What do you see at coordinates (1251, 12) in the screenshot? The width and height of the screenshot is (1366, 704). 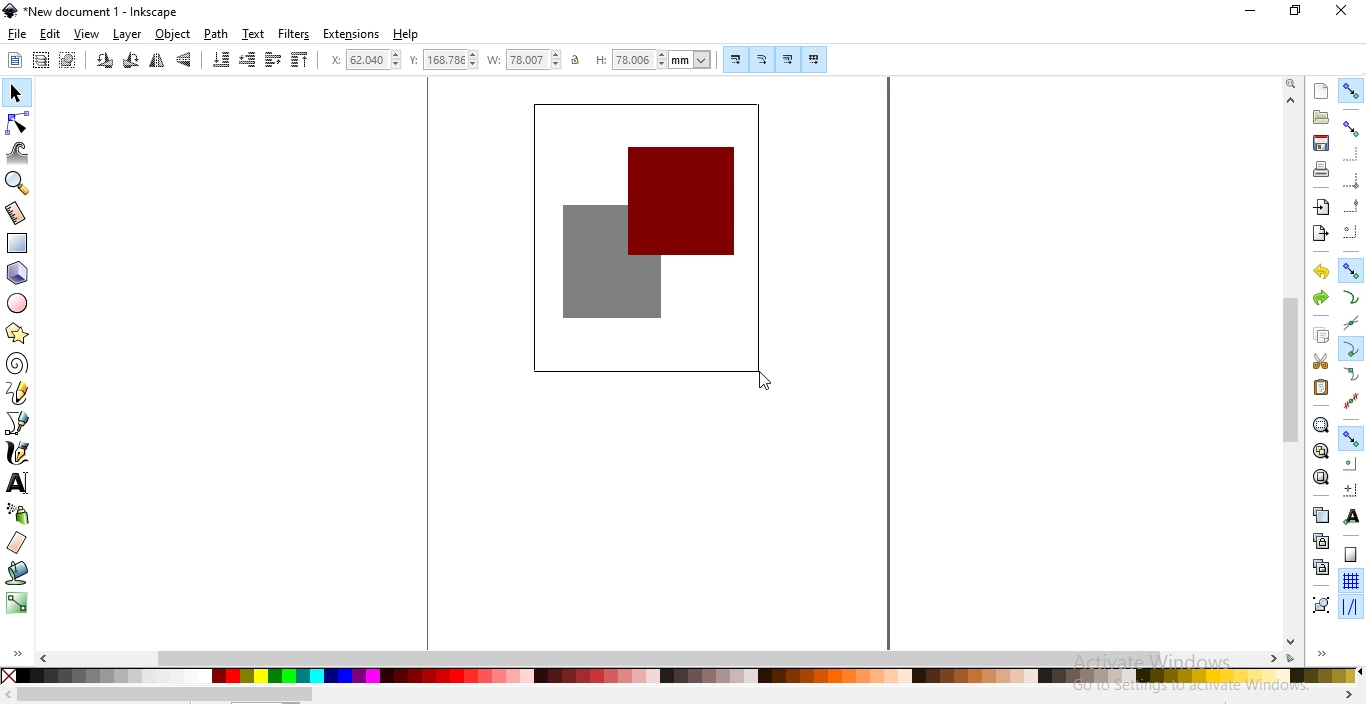 I see `minimize` at bounding box center [1251, 12].